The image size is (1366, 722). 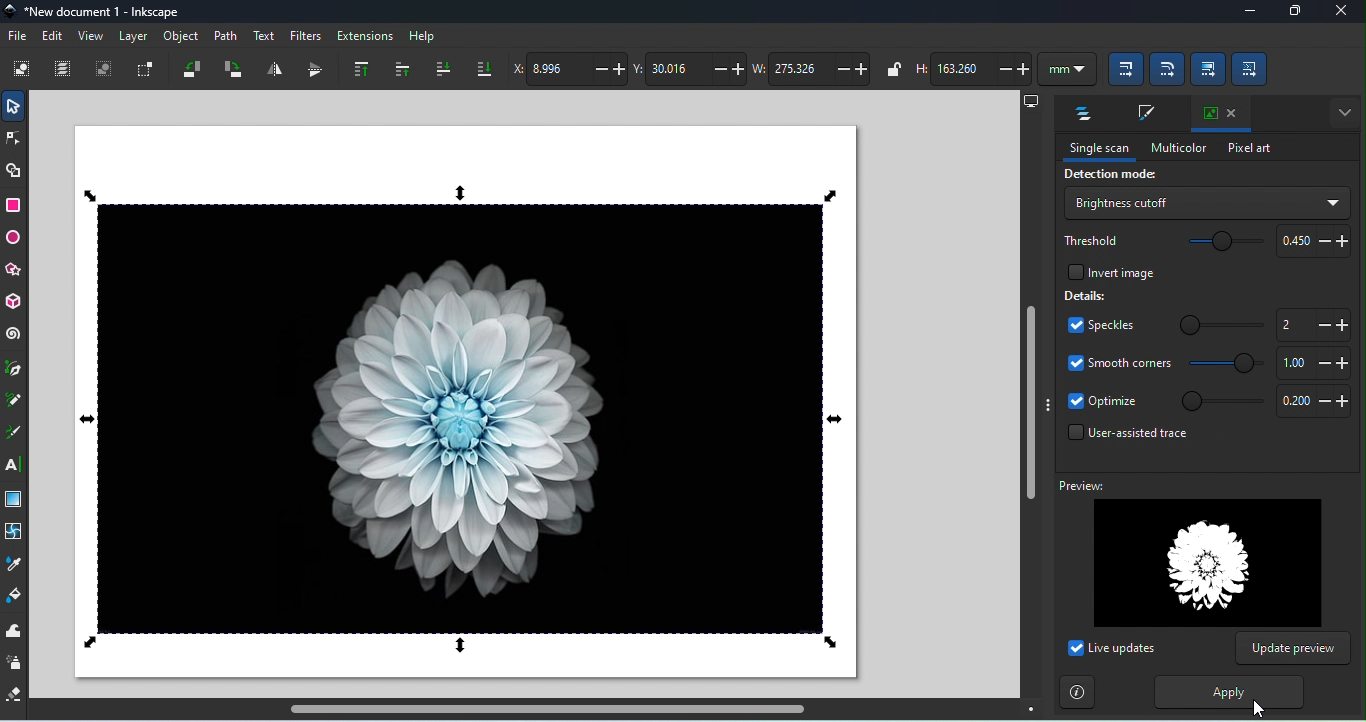 I want to click on Selector tool, so click(x=13, y=106).